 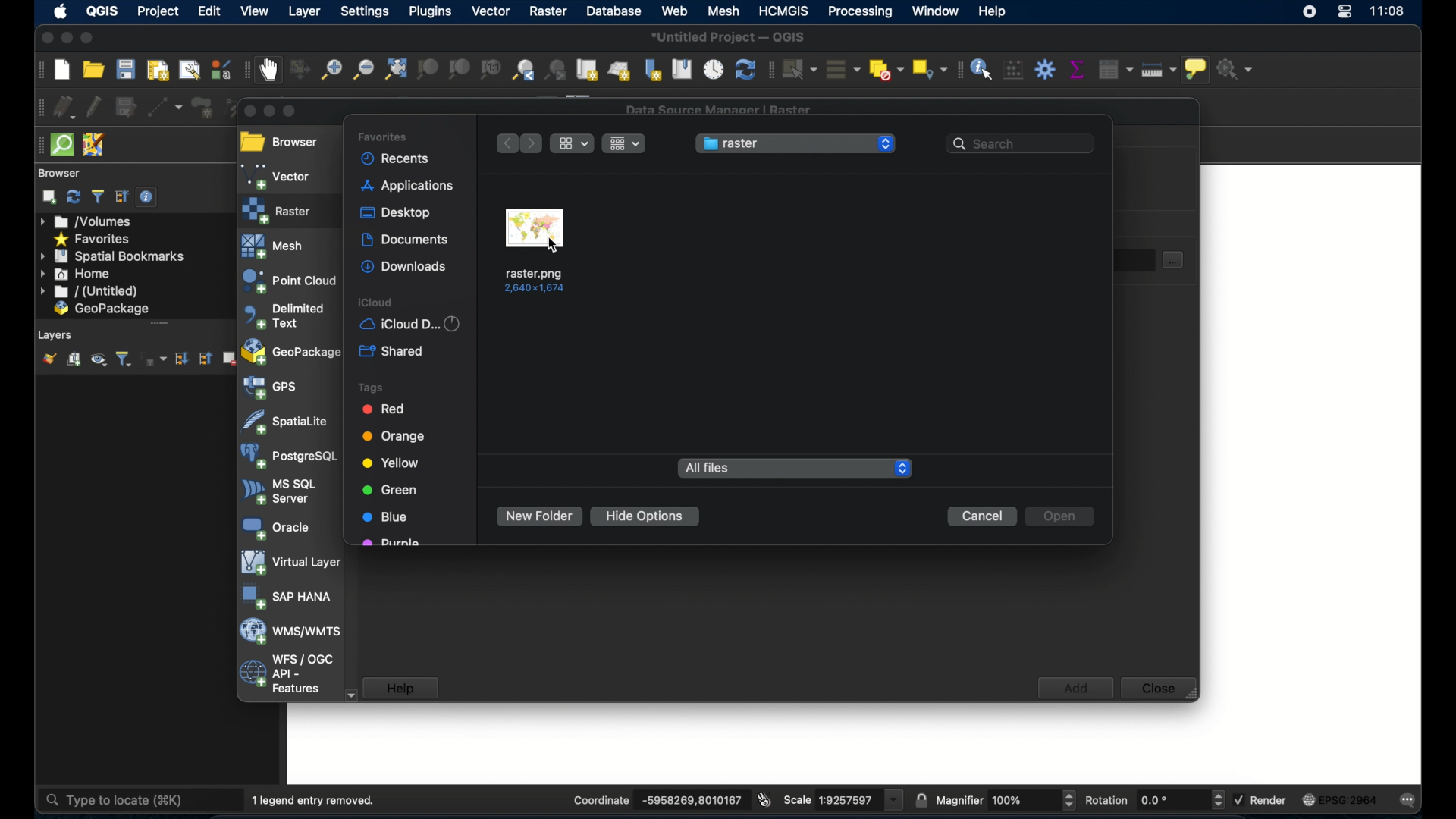 I want to click on layers, so click(x=56, y=334).